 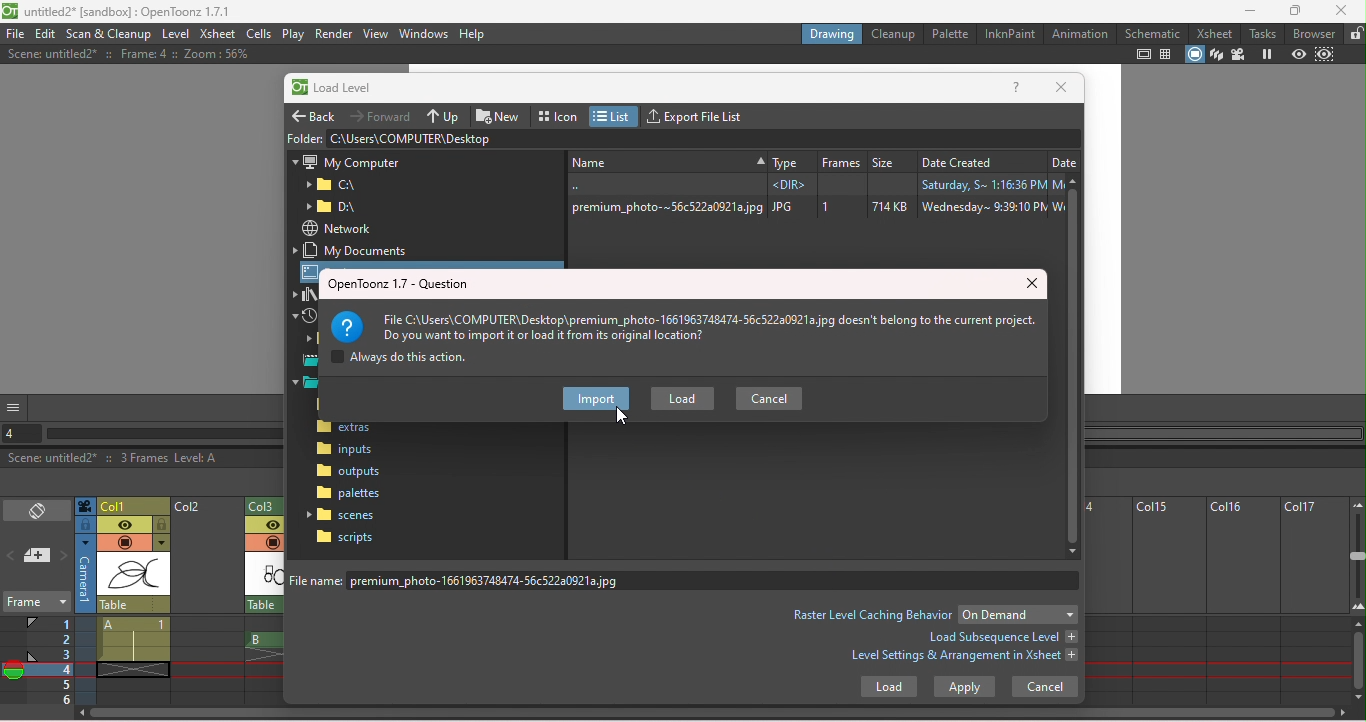 What do you see at coordinates (615, 116) in the screenshot?
I see `List` at bounding box center [615, 116].